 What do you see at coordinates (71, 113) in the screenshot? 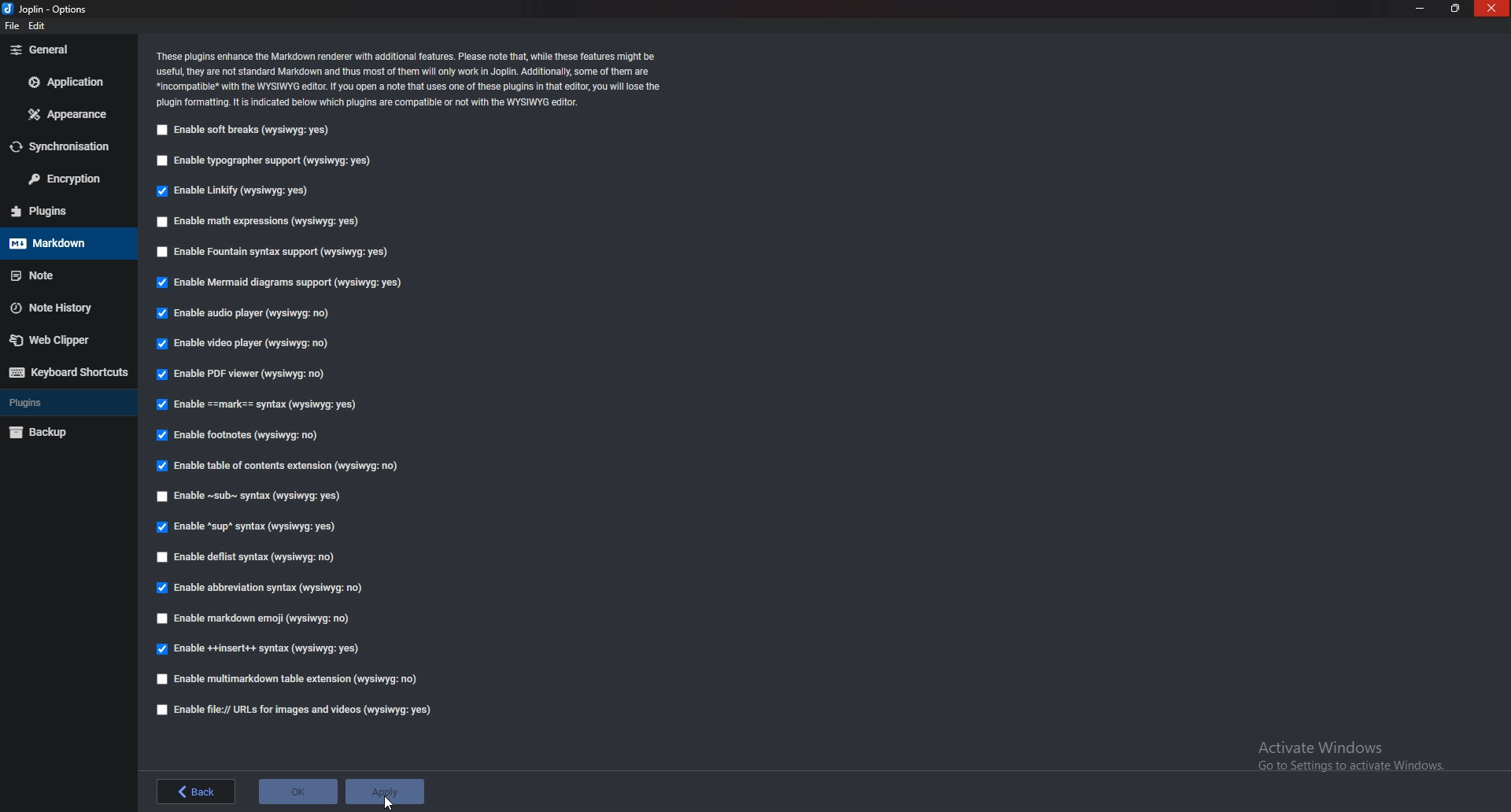
I see `appearance` at bounding box center [71, 113].